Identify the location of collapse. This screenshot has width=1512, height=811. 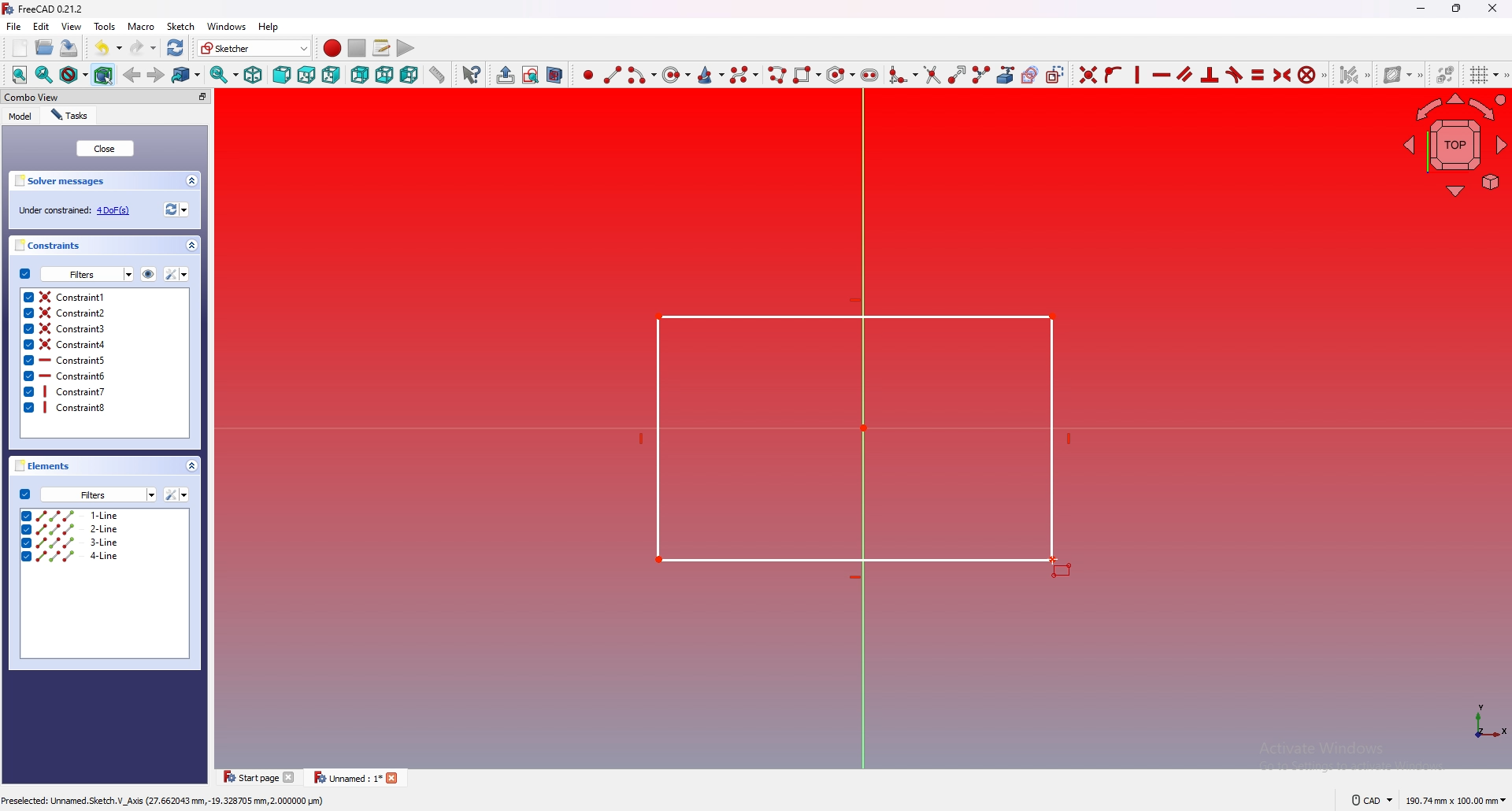
(191, 465).